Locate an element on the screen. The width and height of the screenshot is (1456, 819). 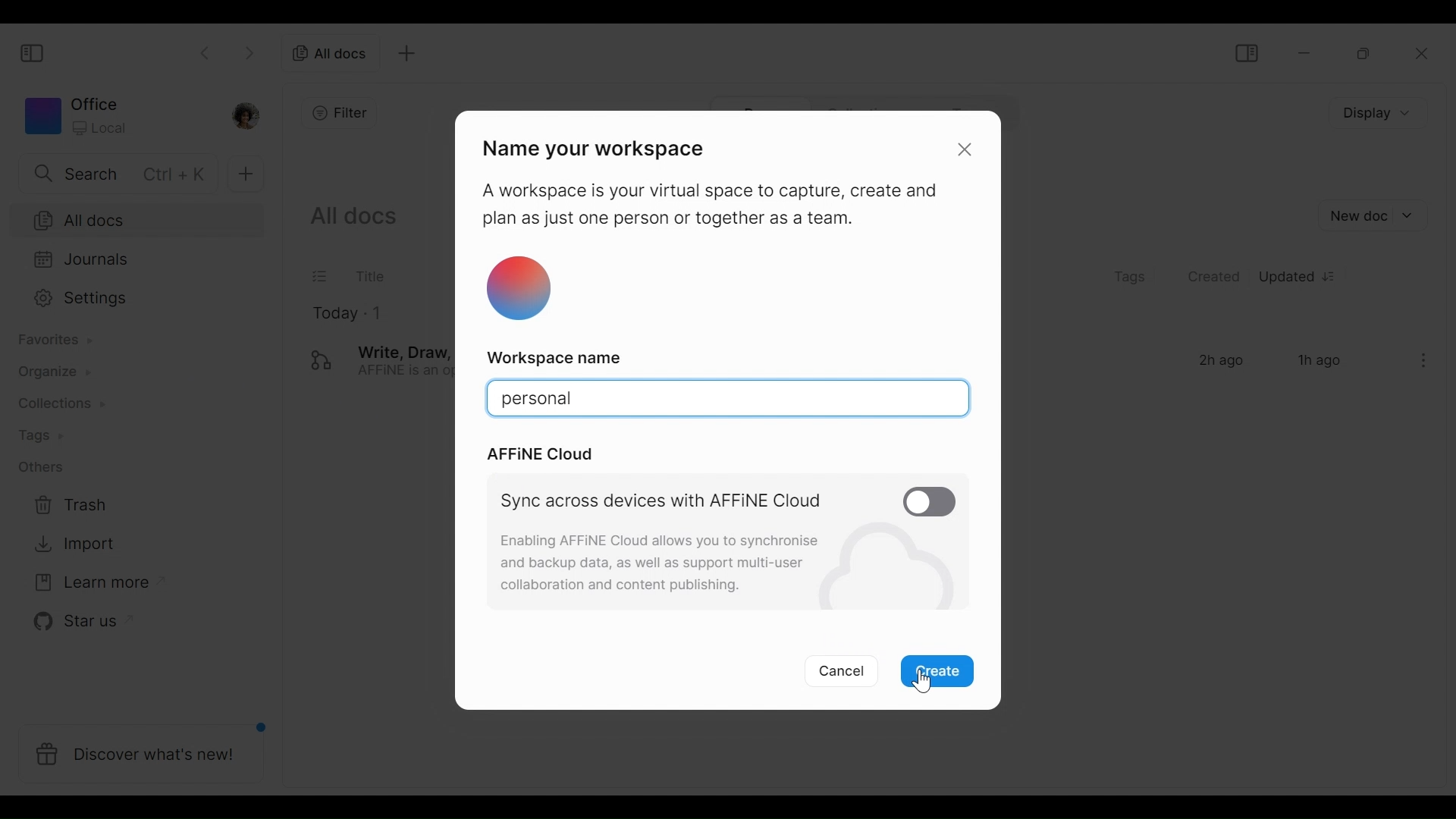
Settings is located at coordinates (130, 299).